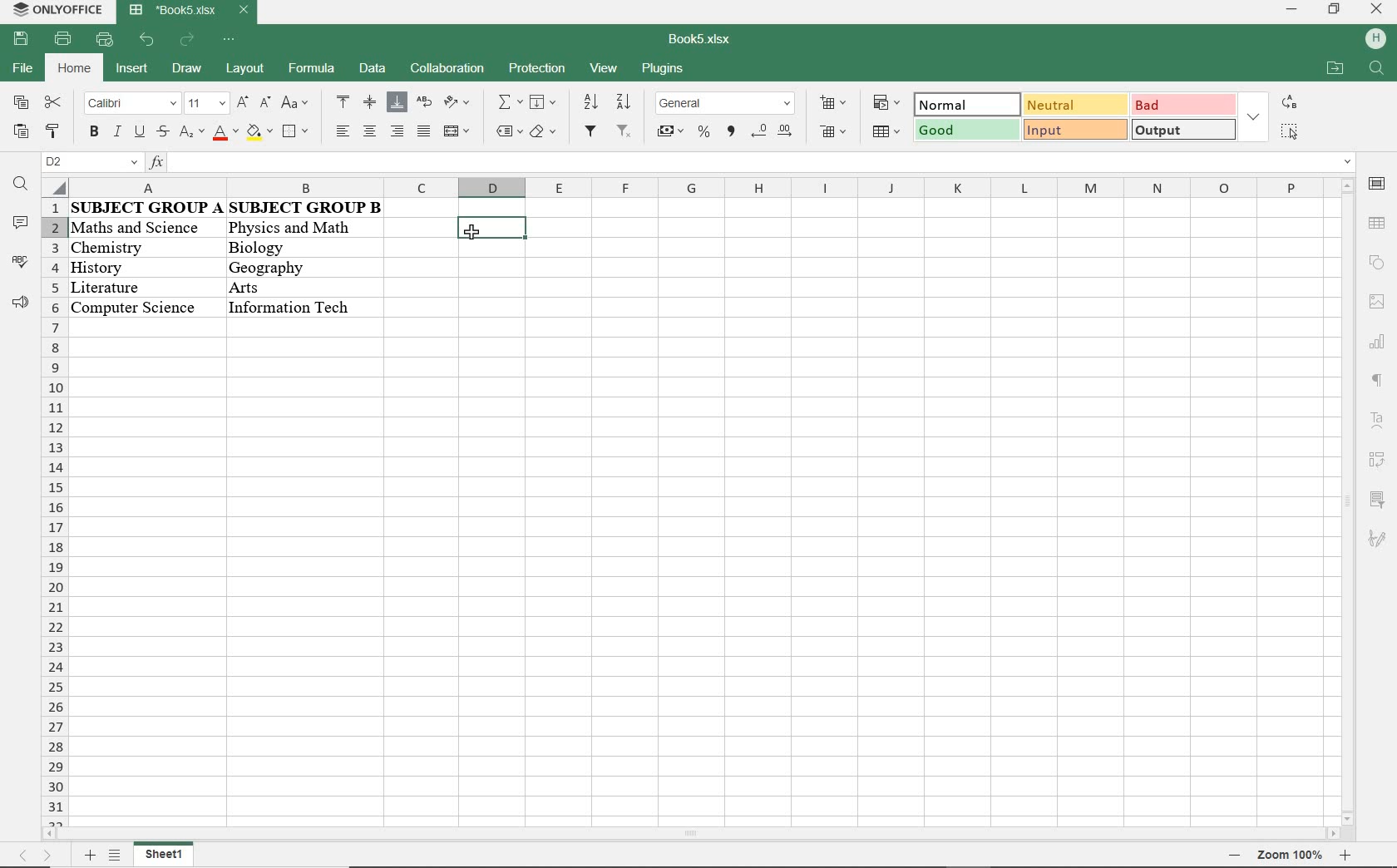  I want to click on sign, so click(1376, 305).